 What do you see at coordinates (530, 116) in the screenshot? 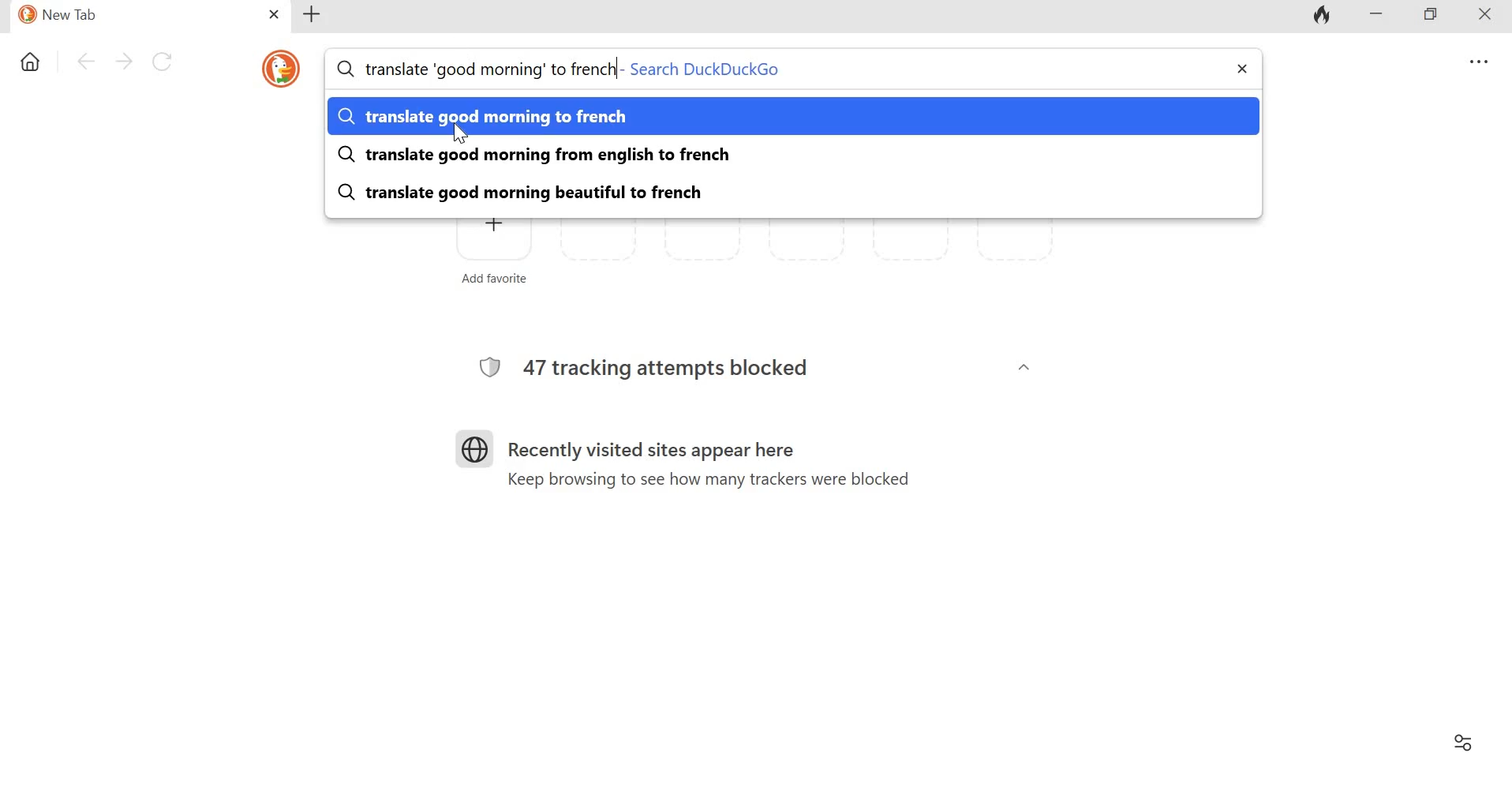
I see `translate good morning to french` at bounding box center [530, 116].